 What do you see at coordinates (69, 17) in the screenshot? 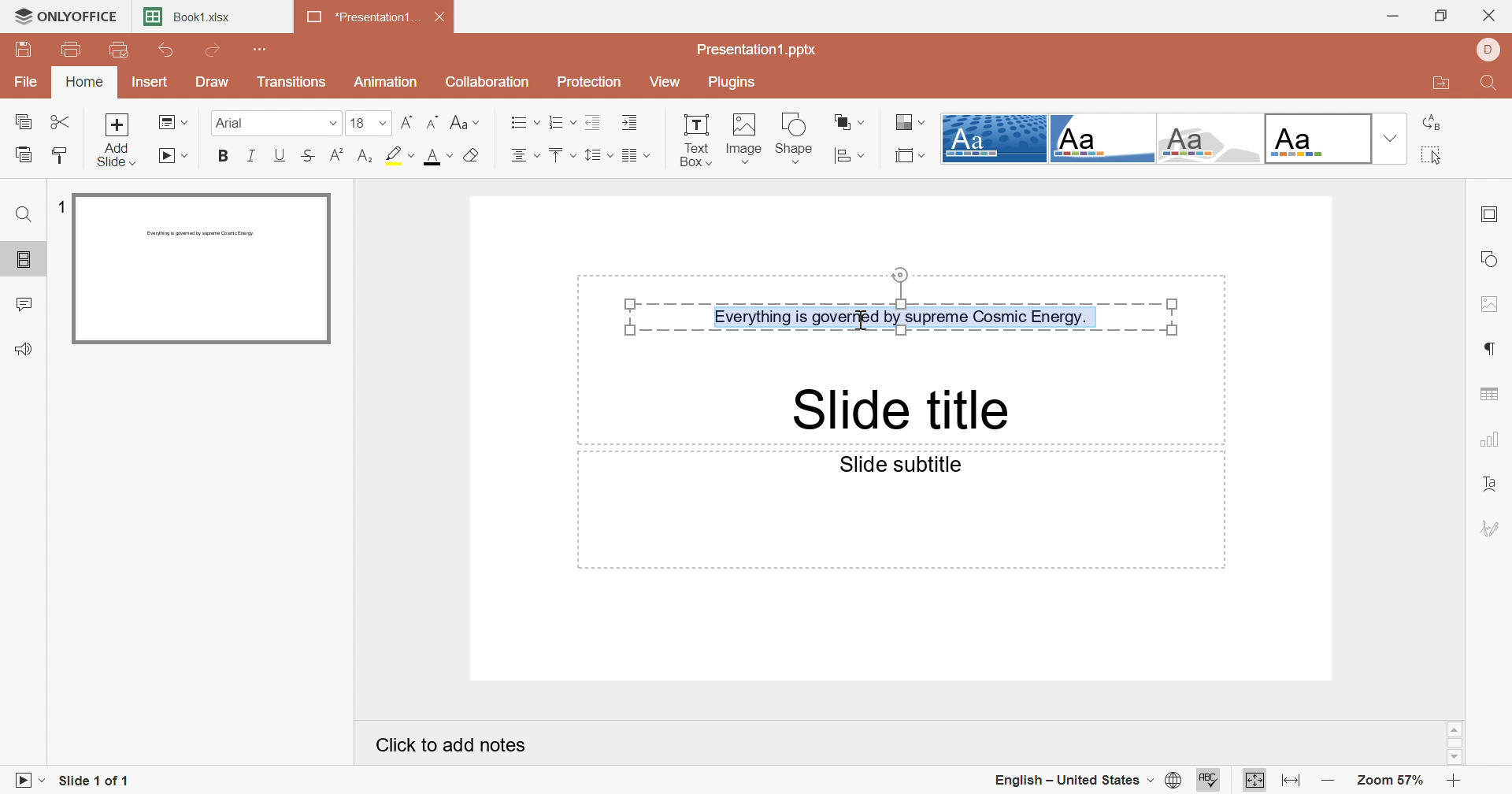
I see `ONLYOFFICE` at bounding box center [69, 17].